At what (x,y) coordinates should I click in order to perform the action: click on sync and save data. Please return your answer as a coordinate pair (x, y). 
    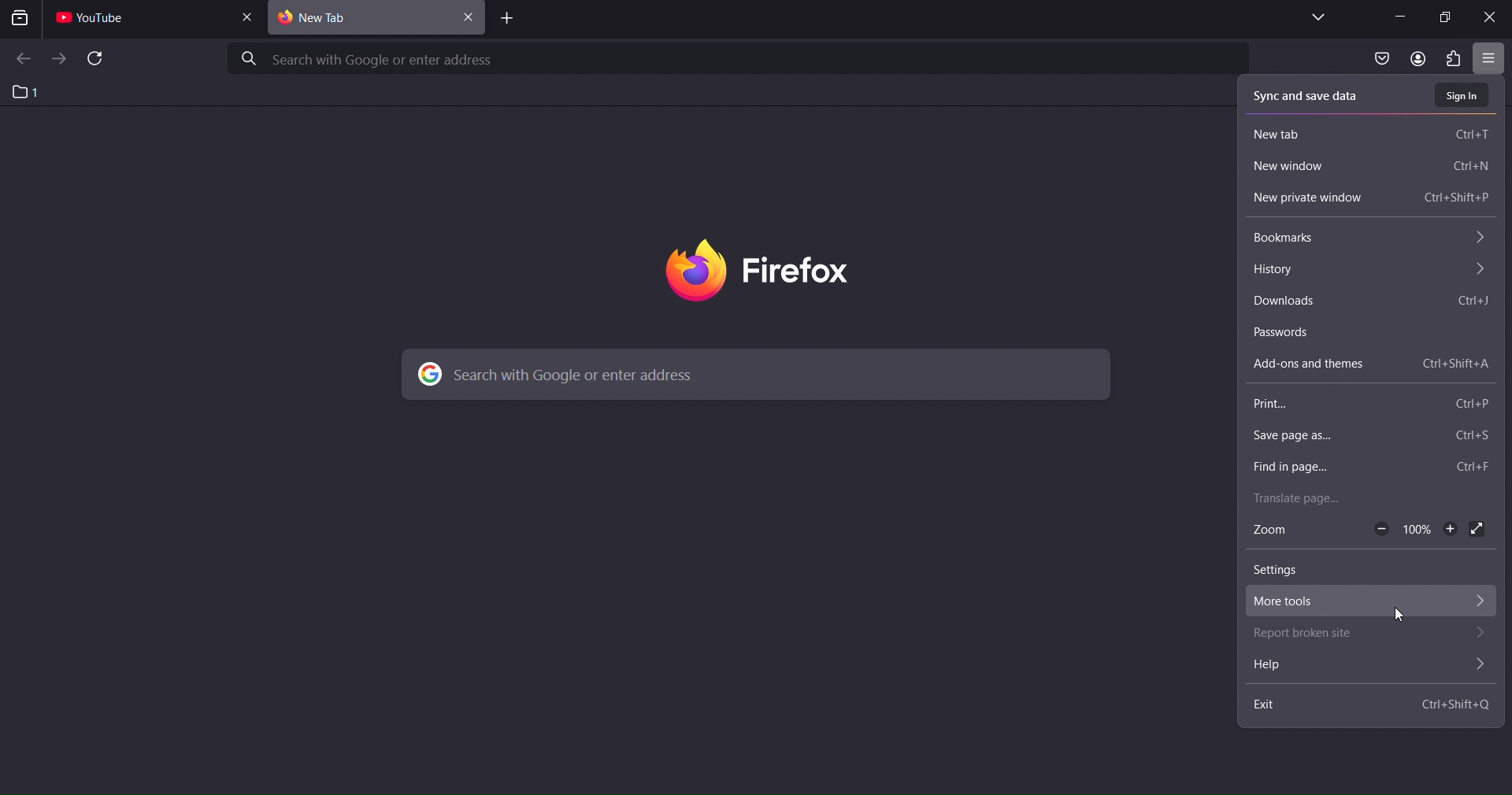
    Looking at the image, I should click on (1313, 95).